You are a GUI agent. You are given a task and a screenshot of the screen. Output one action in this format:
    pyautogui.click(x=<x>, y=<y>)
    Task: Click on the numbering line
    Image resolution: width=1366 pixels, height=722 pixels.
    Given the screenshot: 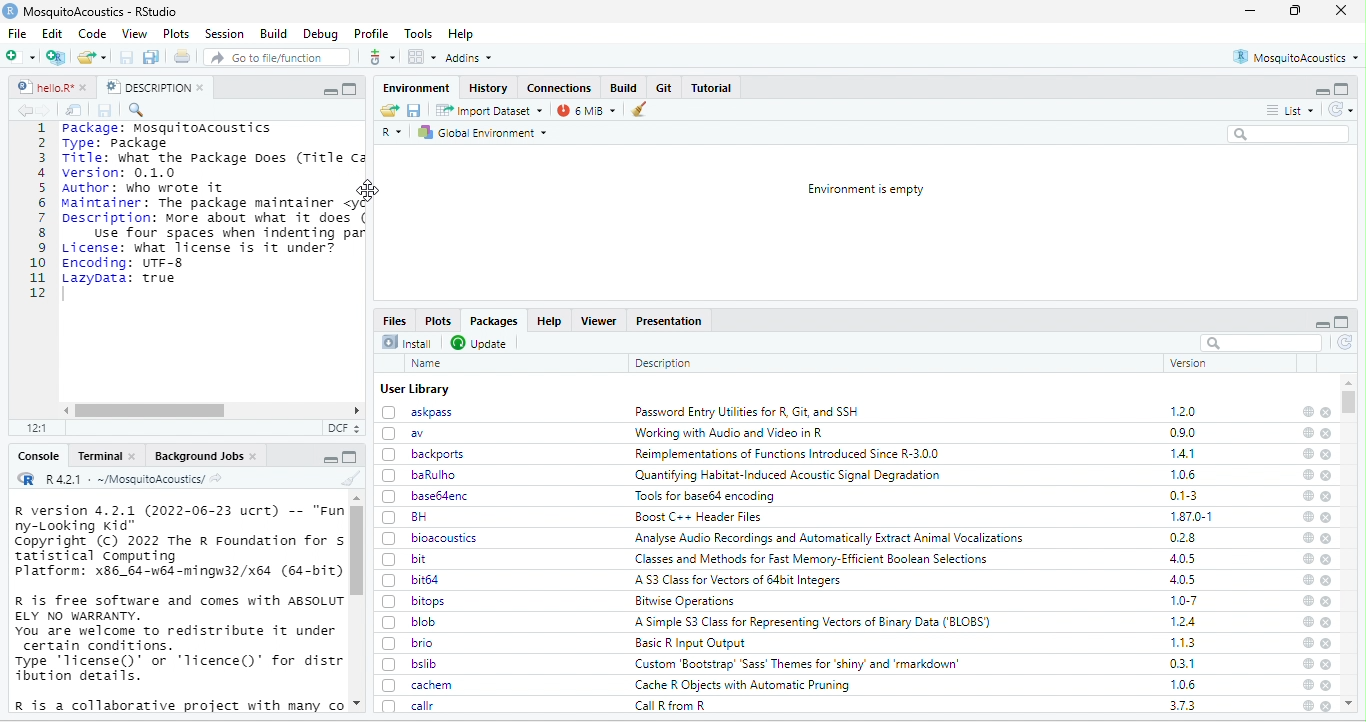 What is the action you would take?
    pyautogui.click(x=37, y=211)
    